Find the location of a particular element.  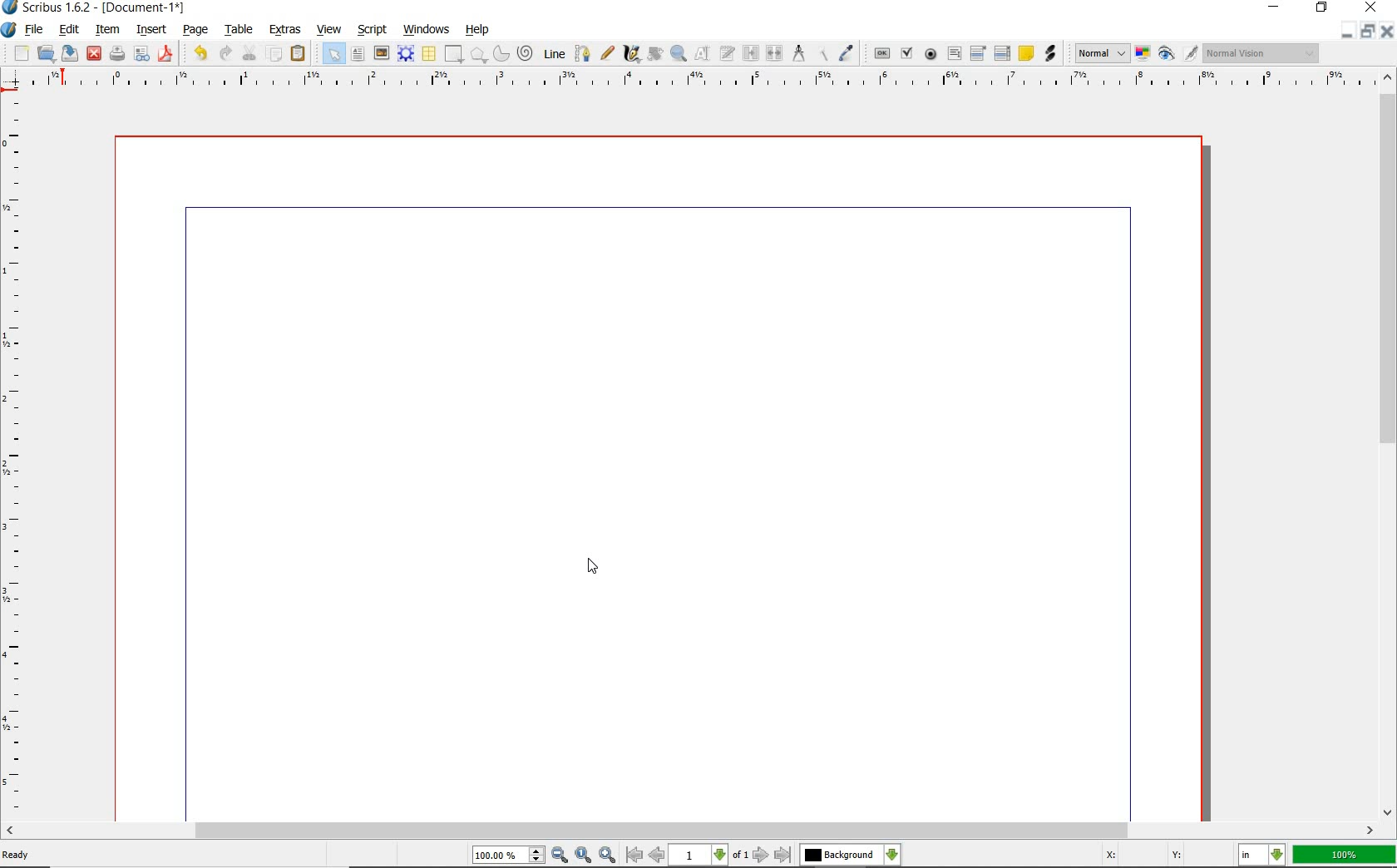

open is located at coordinates (47, 55).